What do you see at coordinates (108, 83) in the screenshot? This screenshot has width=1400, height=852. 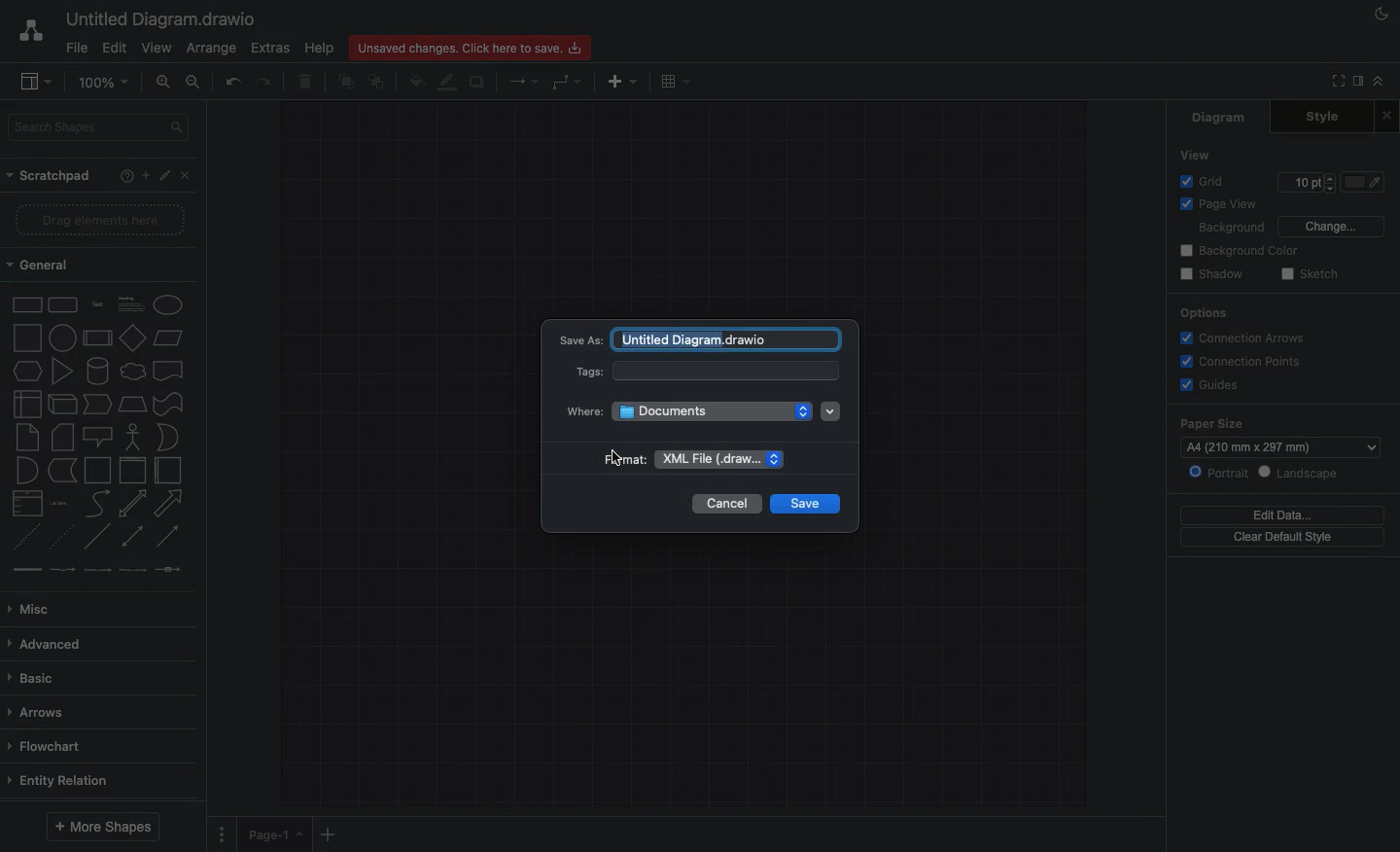 I see `100%` at bounding box center [108, 83].